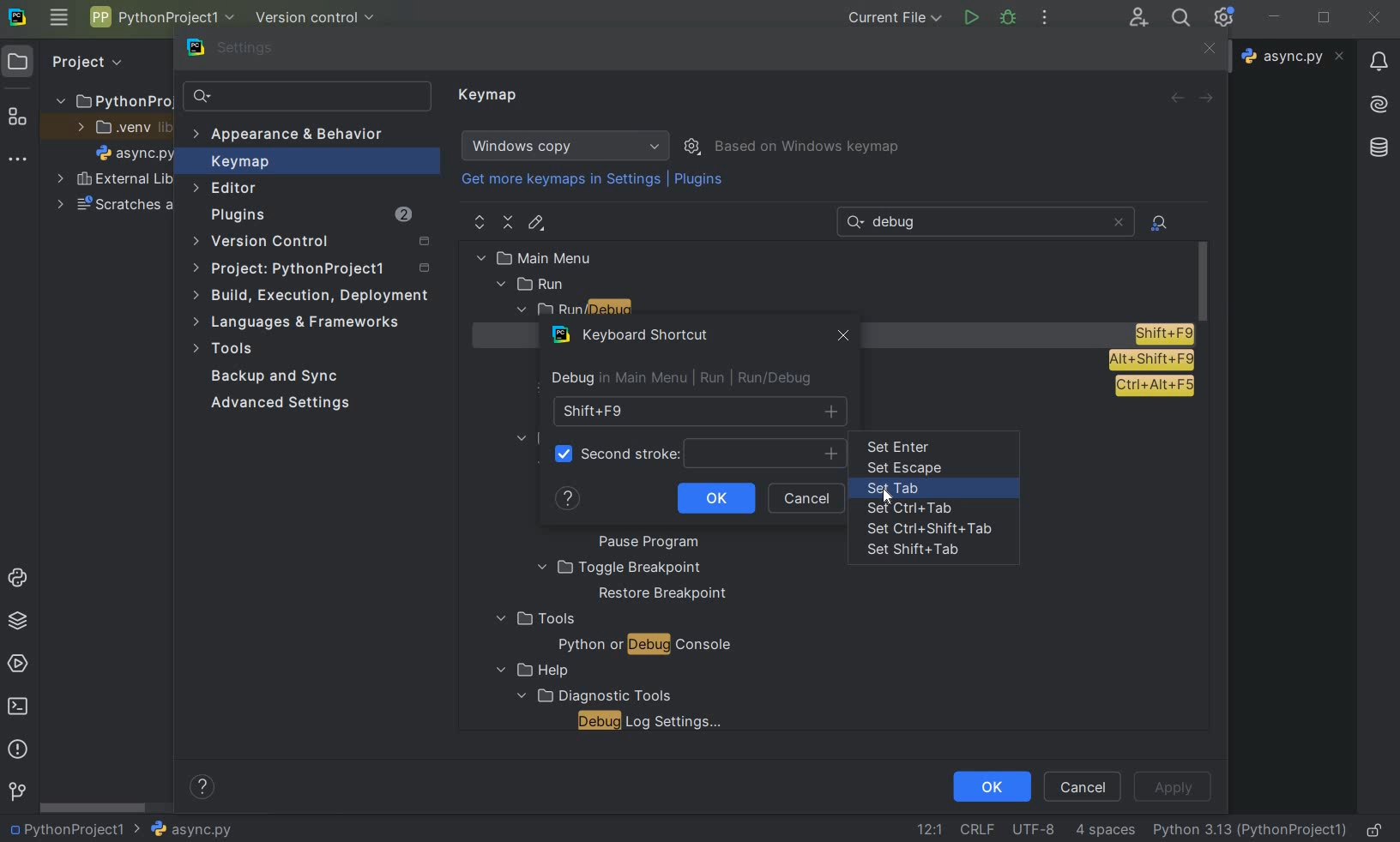 This screenshot has width=1400, height=842. I want to click on set Ctrl+Shift+tab, so click(926, 529).